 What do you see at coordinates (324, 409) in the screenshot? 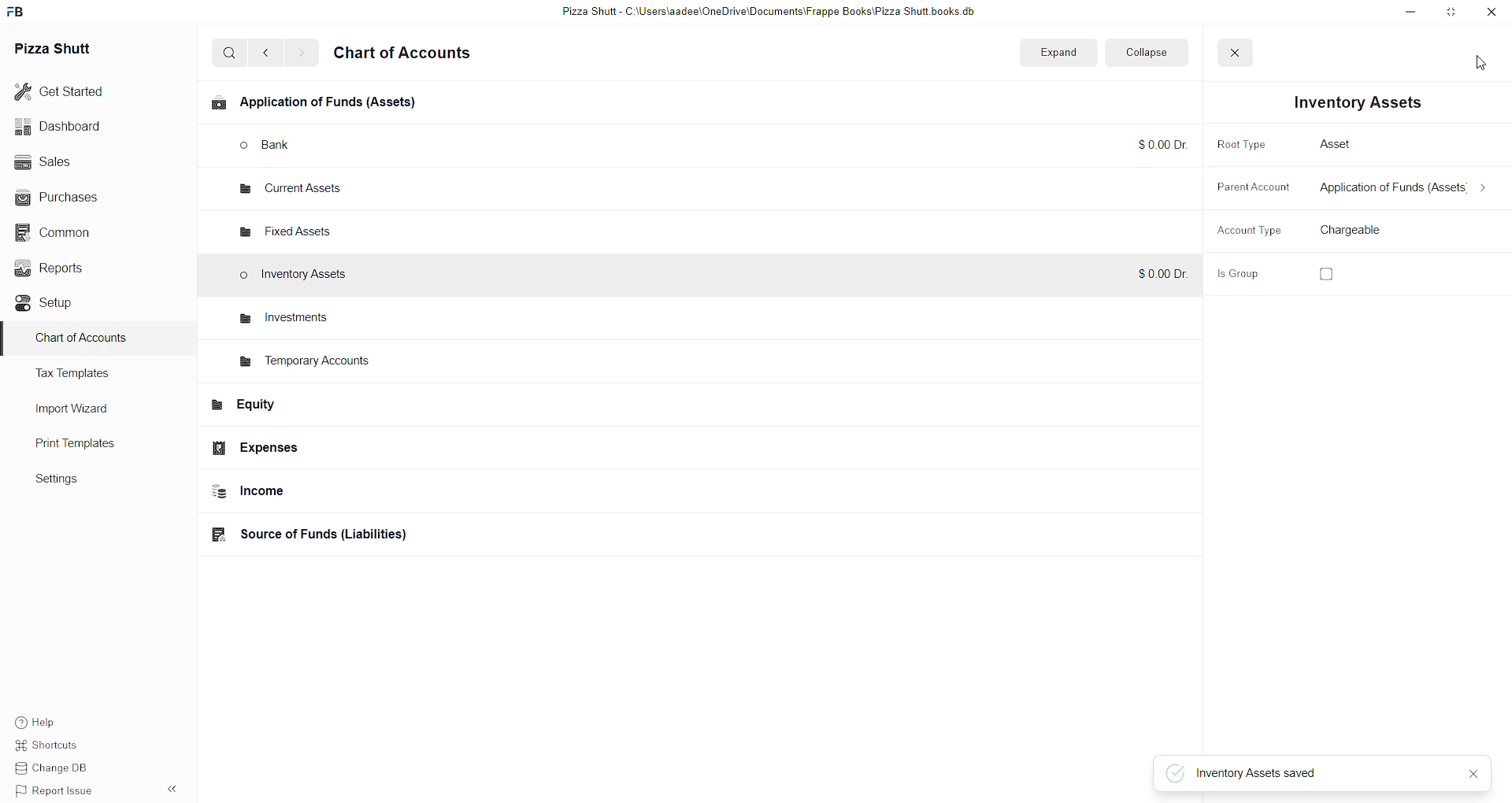
I see `Equity ` at bounding box center [324, 409].